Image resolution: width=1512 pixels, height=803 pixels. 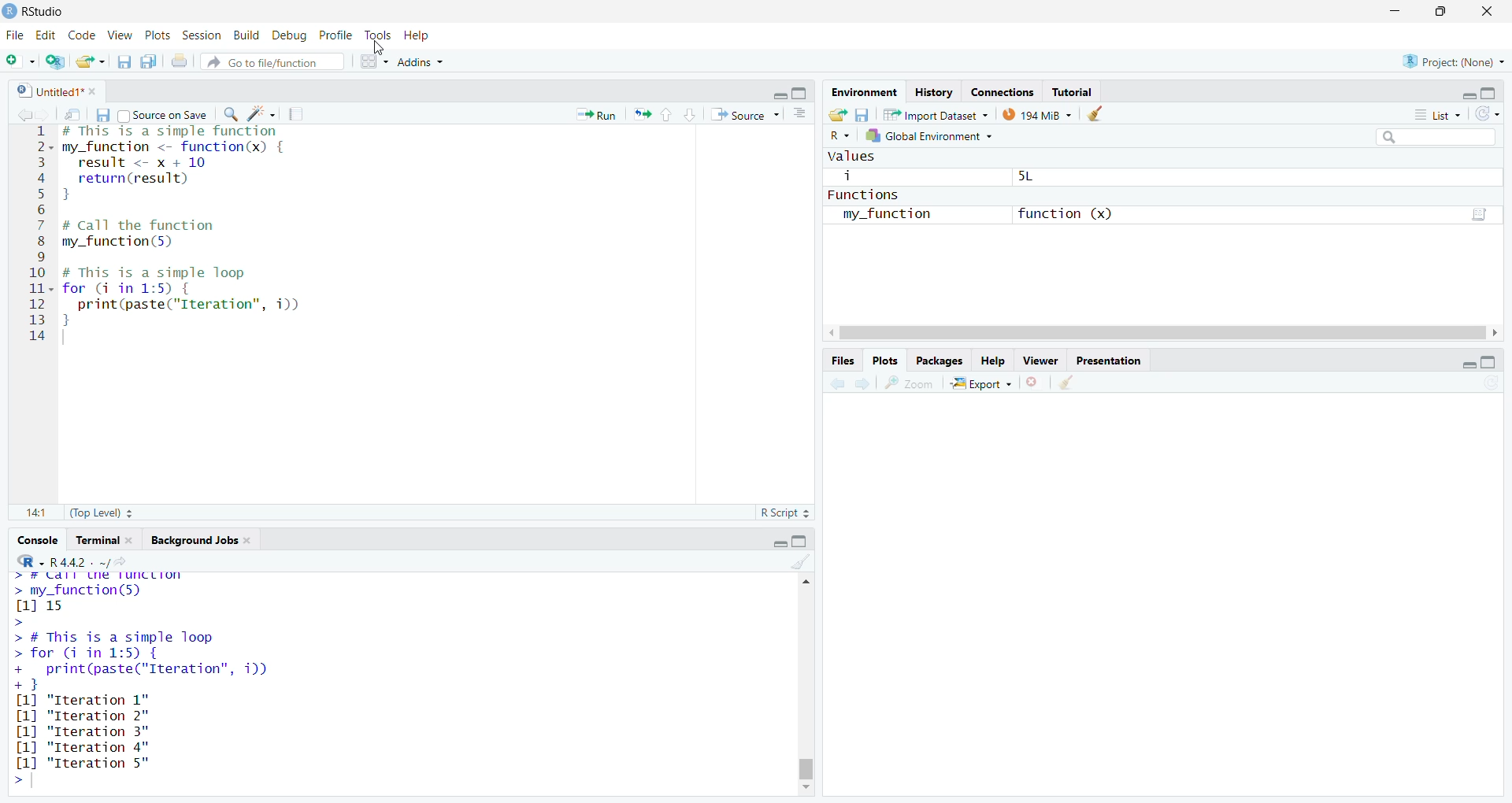 What do you see at coordinates (1041, 358) in the screenshot?
I see `viewer` at bounding box center [1041, 358].